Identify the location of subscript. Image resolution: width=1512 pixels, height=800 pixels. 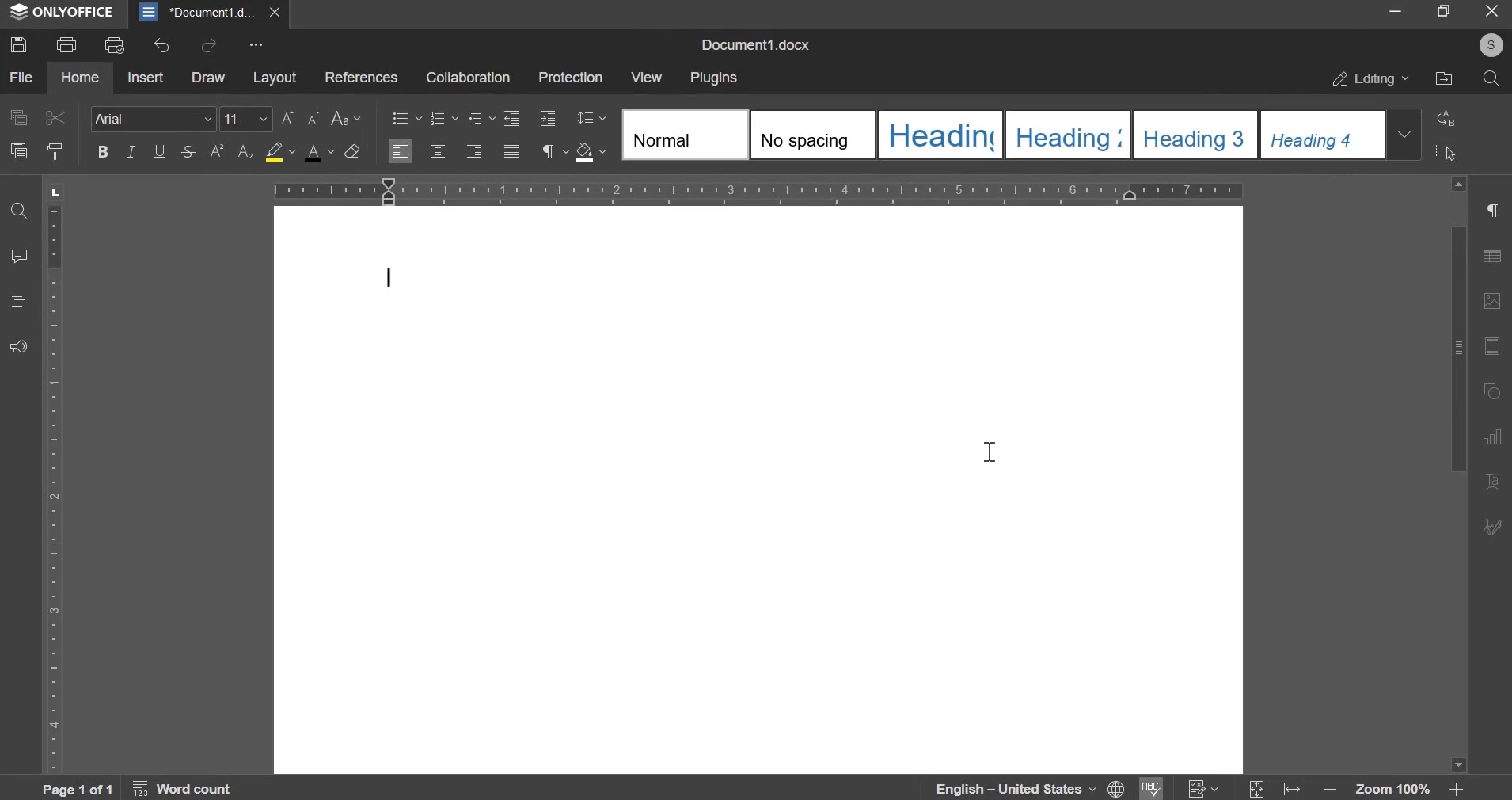
(219, 150).